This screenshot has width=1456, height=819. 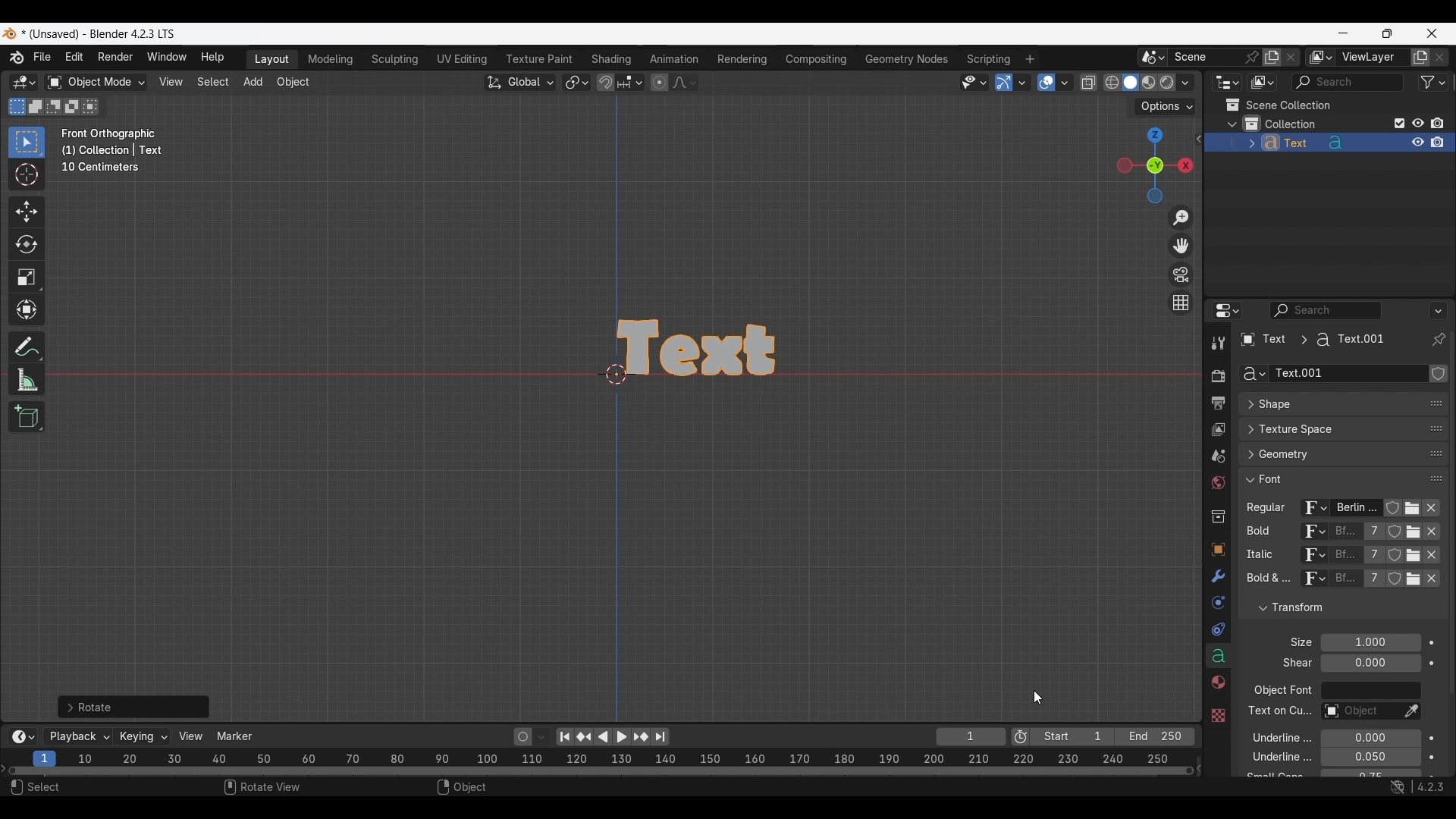 I want to click on Show gizmo, so click(x=1004, y=83).